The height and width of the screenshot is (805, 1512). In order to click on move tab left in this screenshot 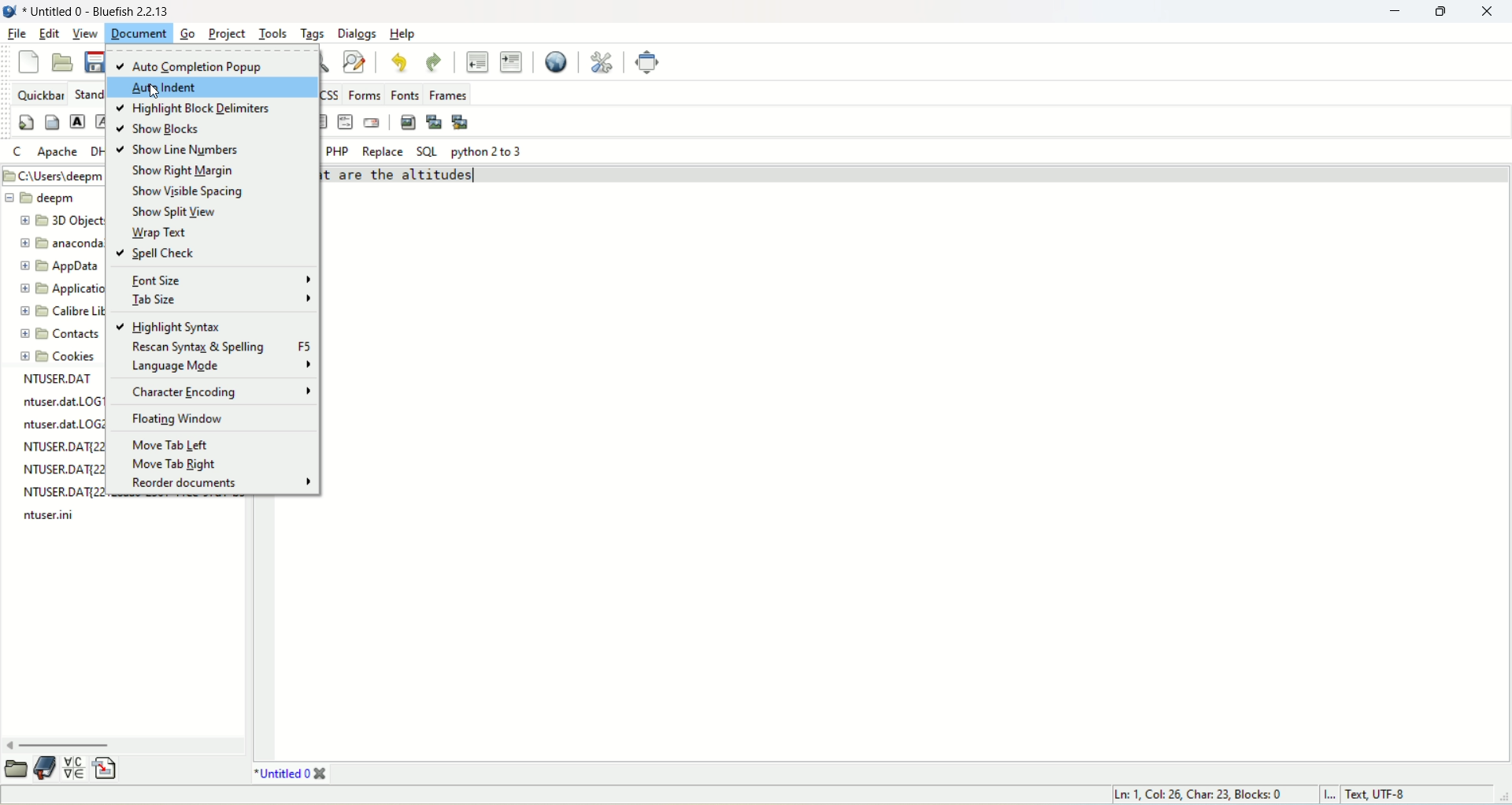, I will do `click(172, 446)`.